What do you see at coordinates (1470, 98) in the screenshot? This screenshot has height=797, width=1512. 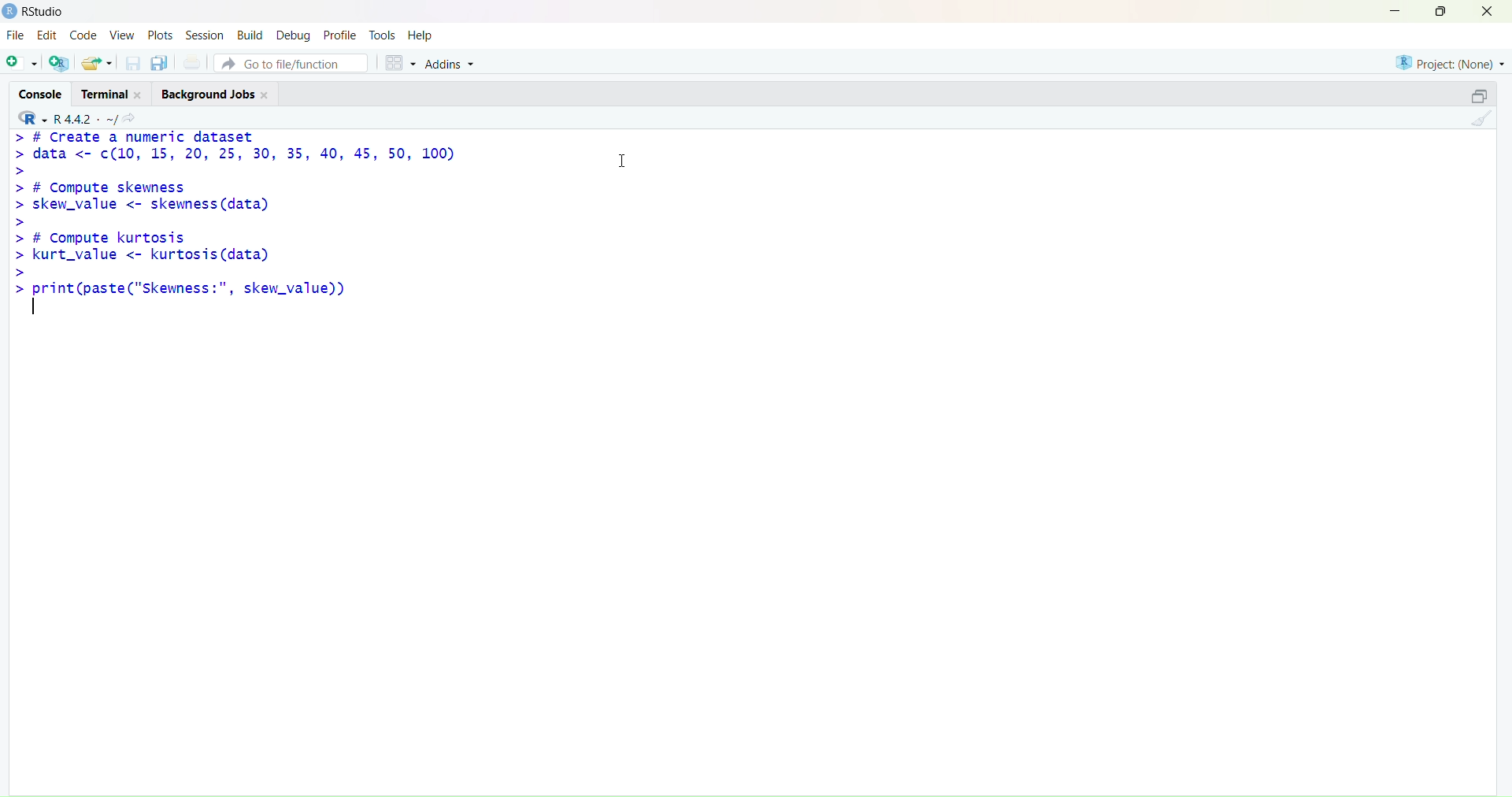 I see `Restore` at bounding box center [1470, 98].